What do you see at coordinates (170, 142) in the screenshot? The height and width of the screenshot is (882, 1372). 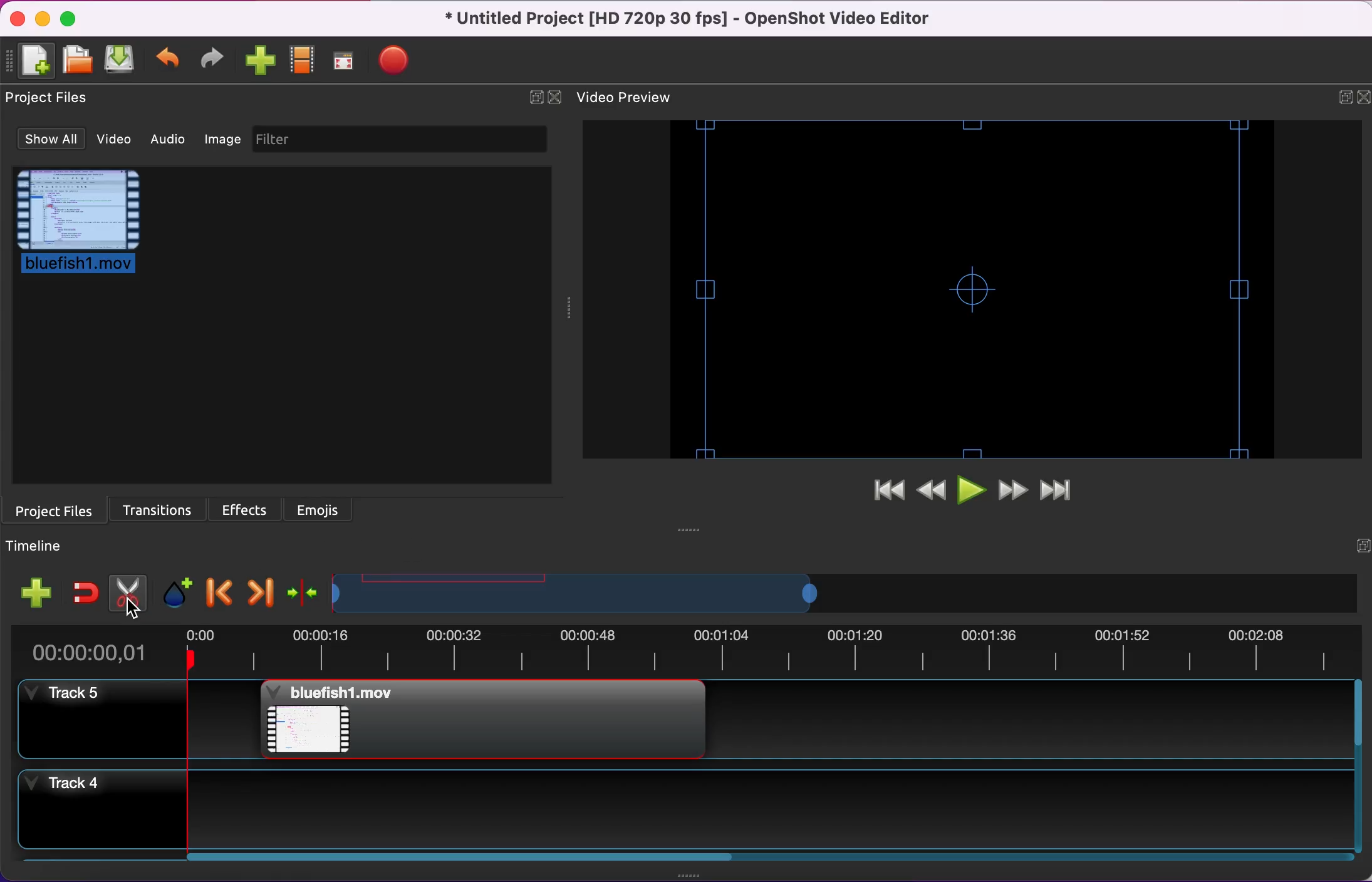 I see `audio` at bounding box center [170, 142].